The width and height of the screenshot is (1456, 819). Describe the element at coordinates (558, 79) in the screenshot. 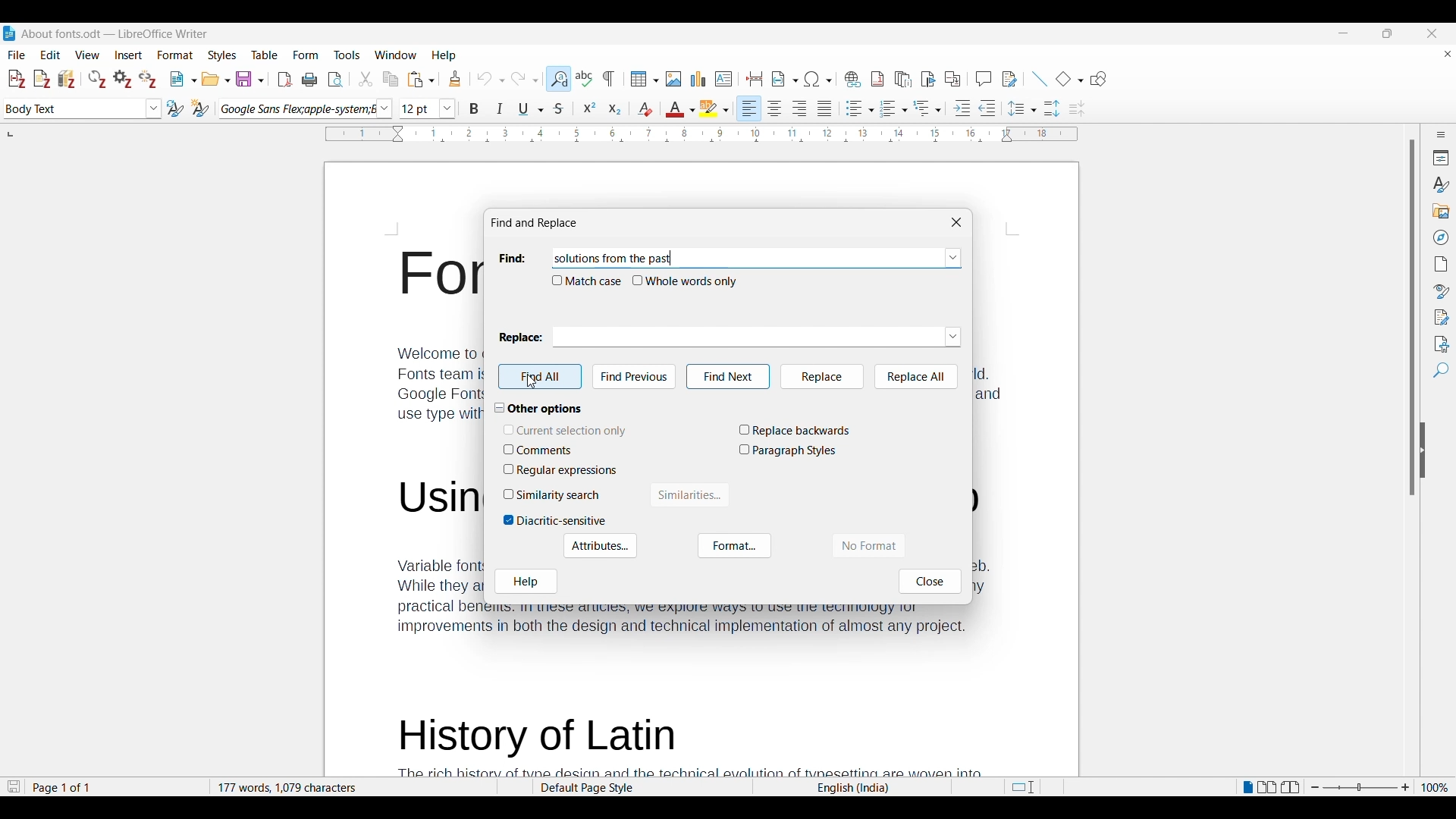

I see `Find and replace` at that location.